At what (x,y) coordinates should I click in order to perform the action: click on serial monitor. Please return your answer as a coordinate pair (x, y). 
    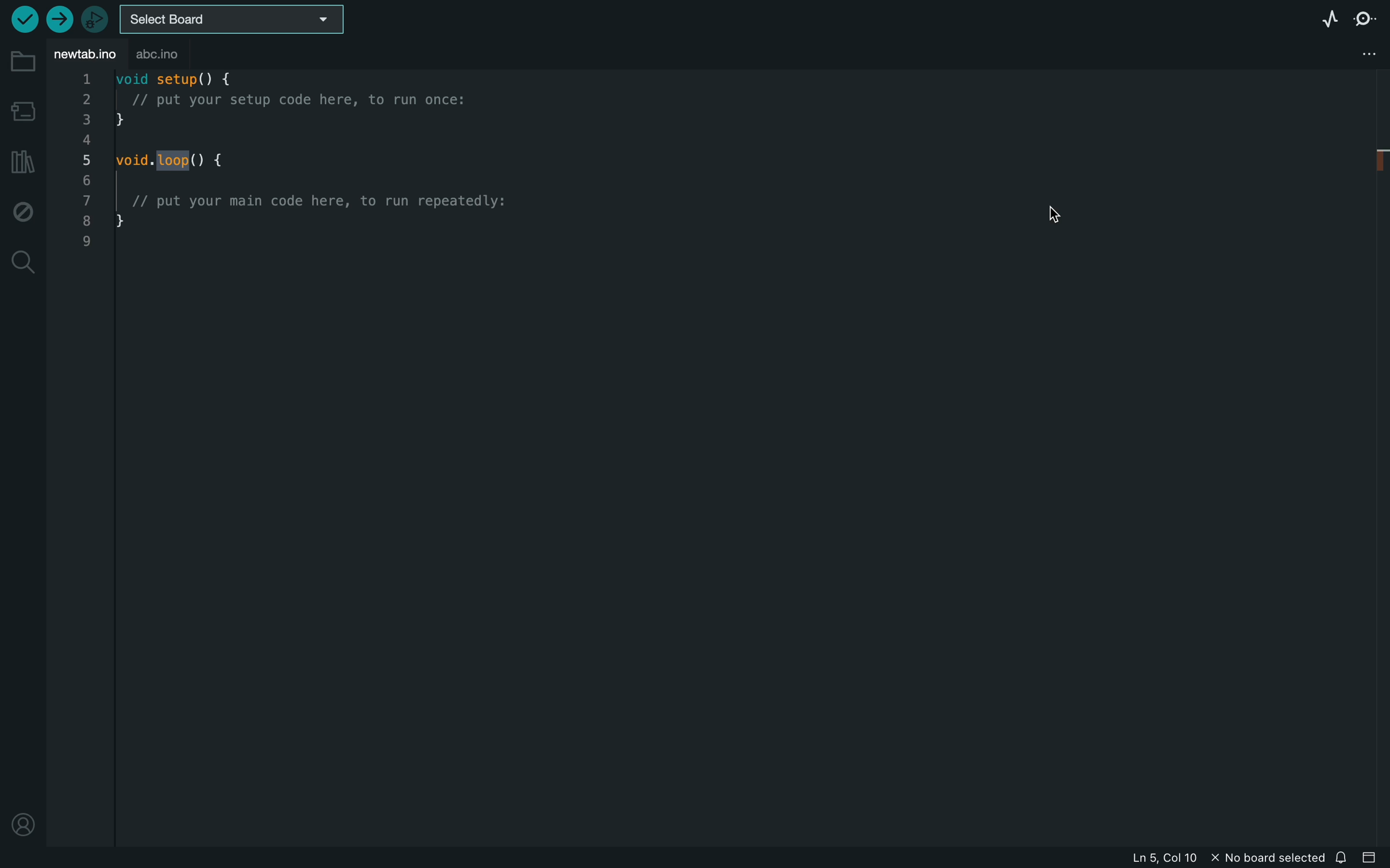
    Looking at the image, I should click on (1366, 18).